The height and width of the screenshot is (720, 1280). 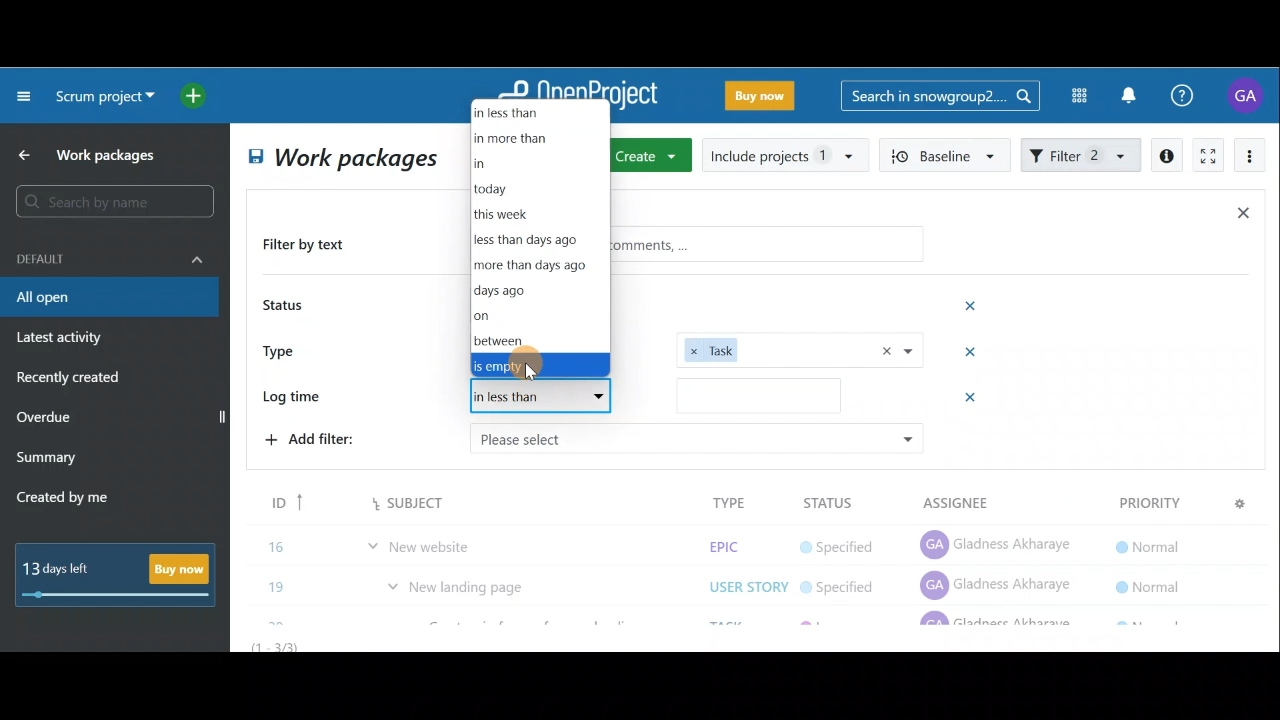 I want to click on Modules, so click(x=1073, y=96).